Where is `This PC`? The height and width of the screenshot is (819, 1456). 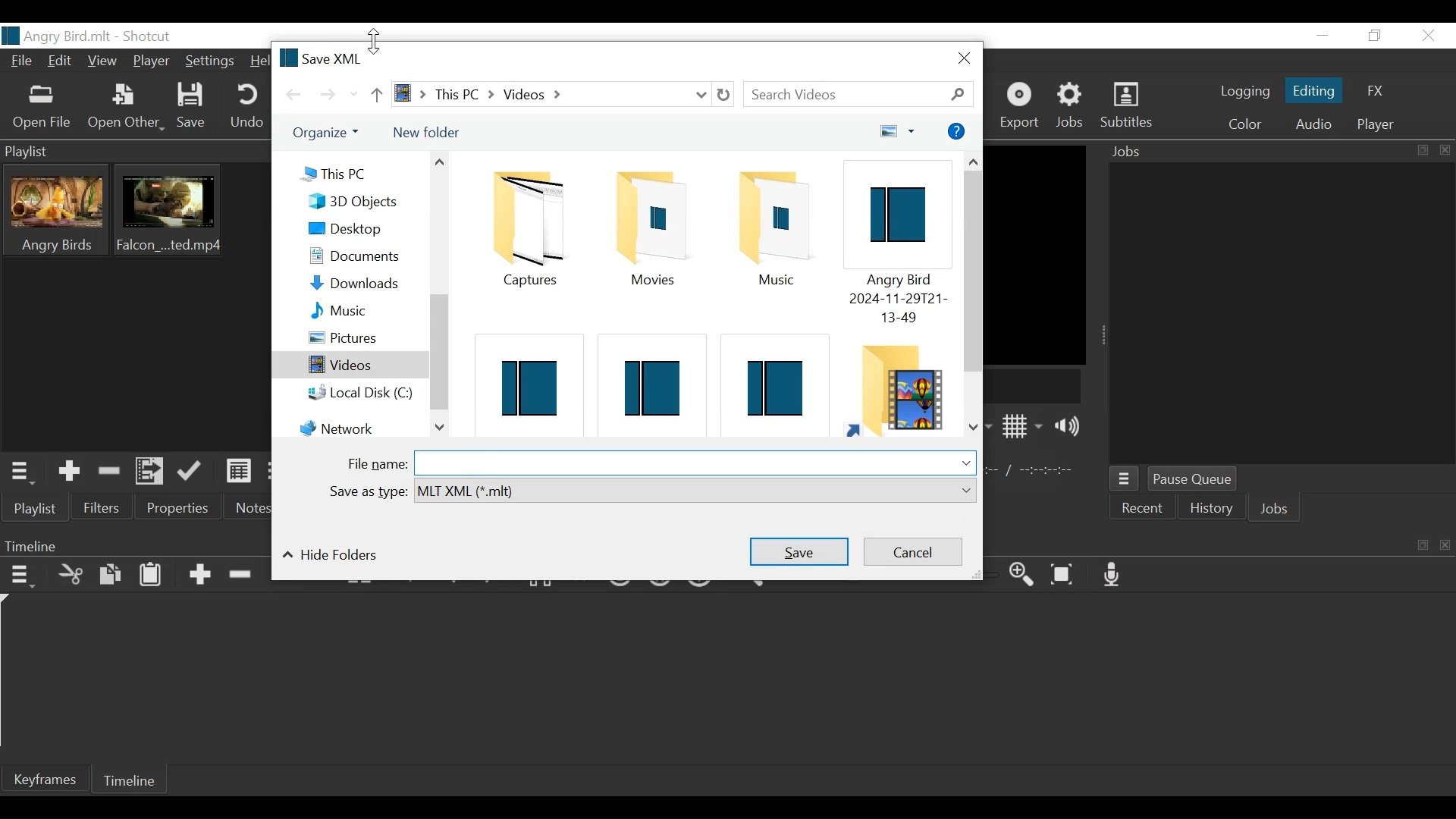 This PC is located at coordinates (351, 173).